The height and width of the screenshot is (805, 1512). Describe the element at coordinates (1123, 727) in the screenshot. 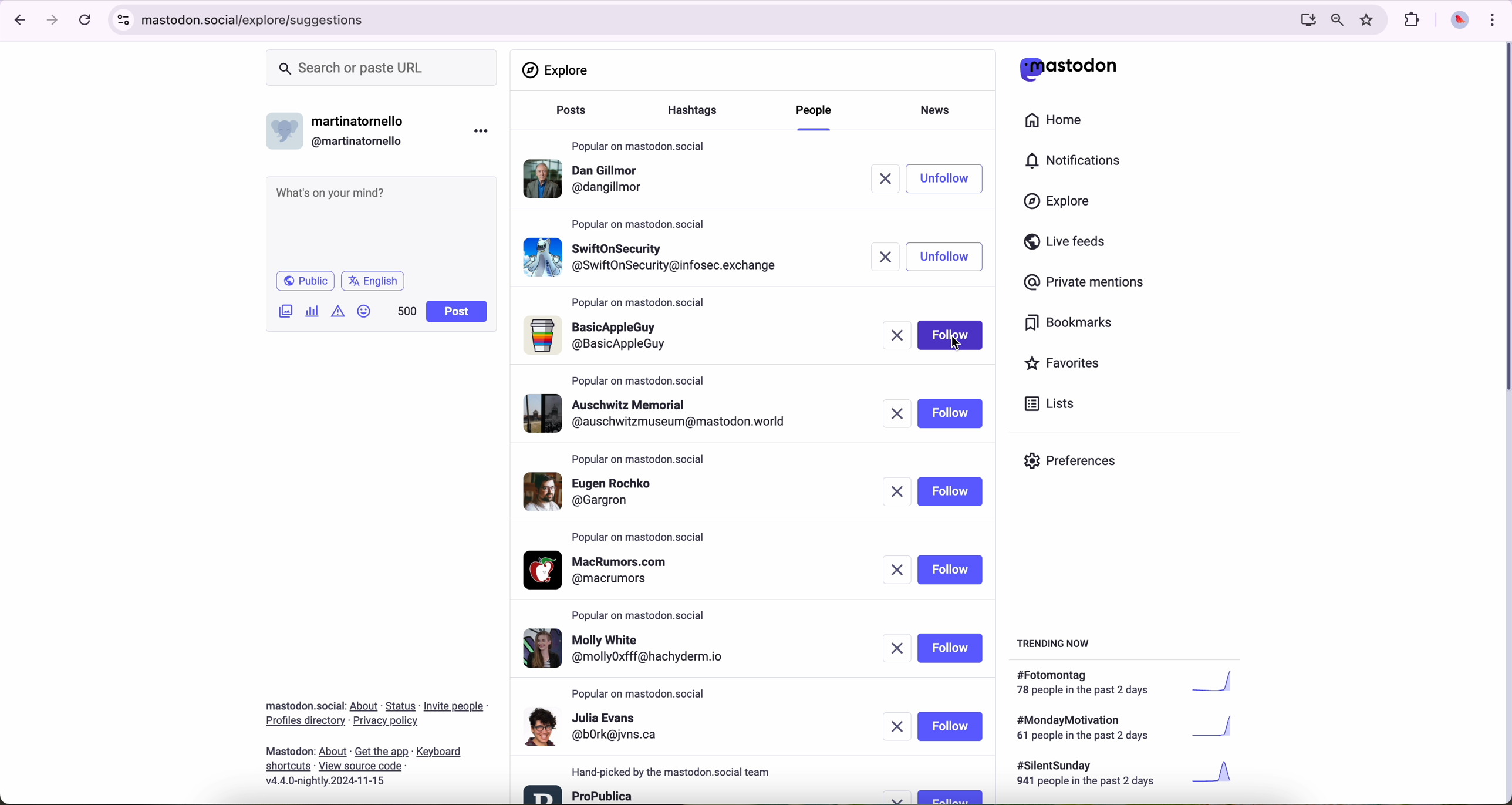

I see `#mondaymotivation` at that location.